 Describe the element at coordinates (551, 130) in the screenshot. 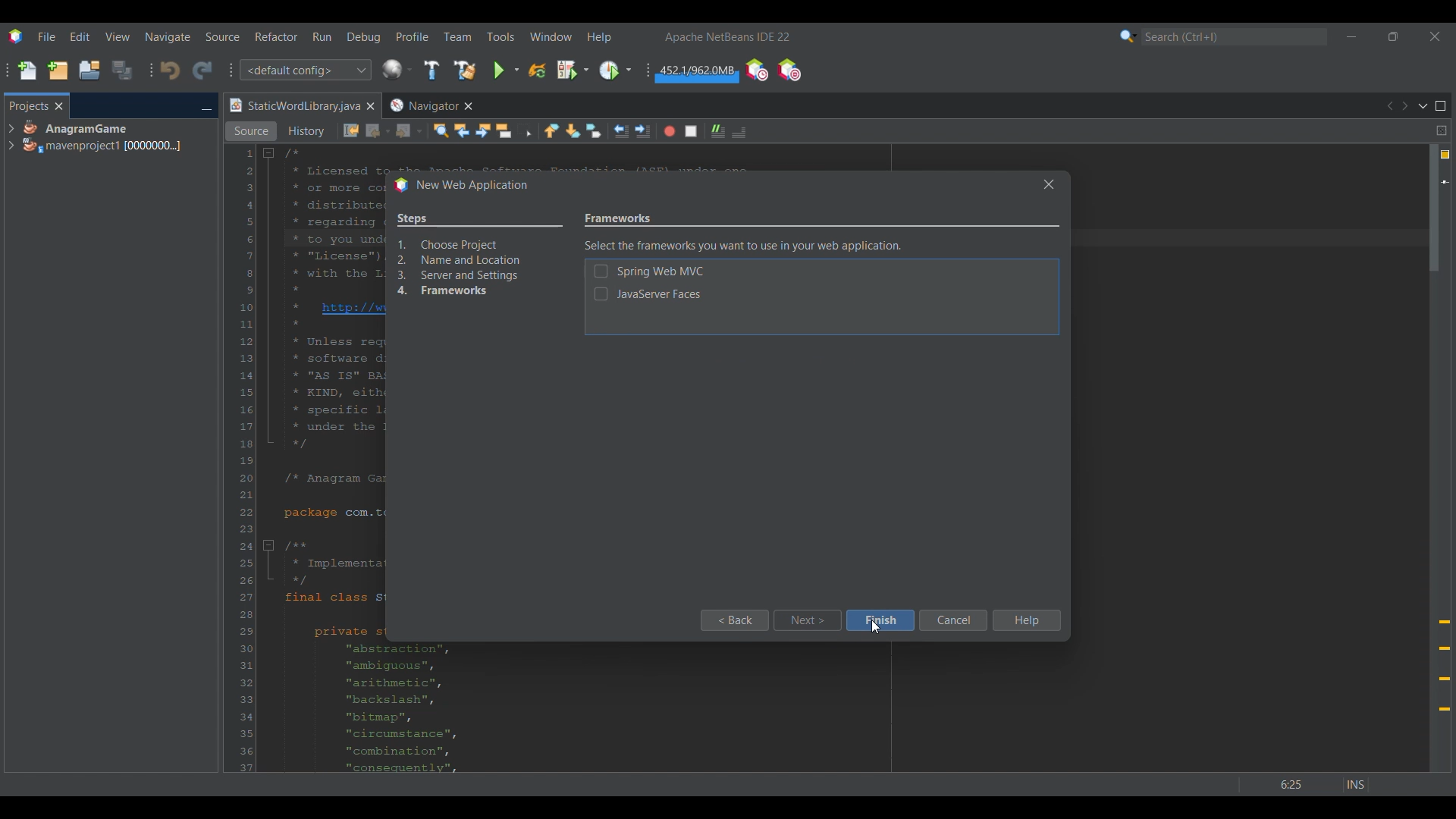

I see `Previous bookmark` at that location.